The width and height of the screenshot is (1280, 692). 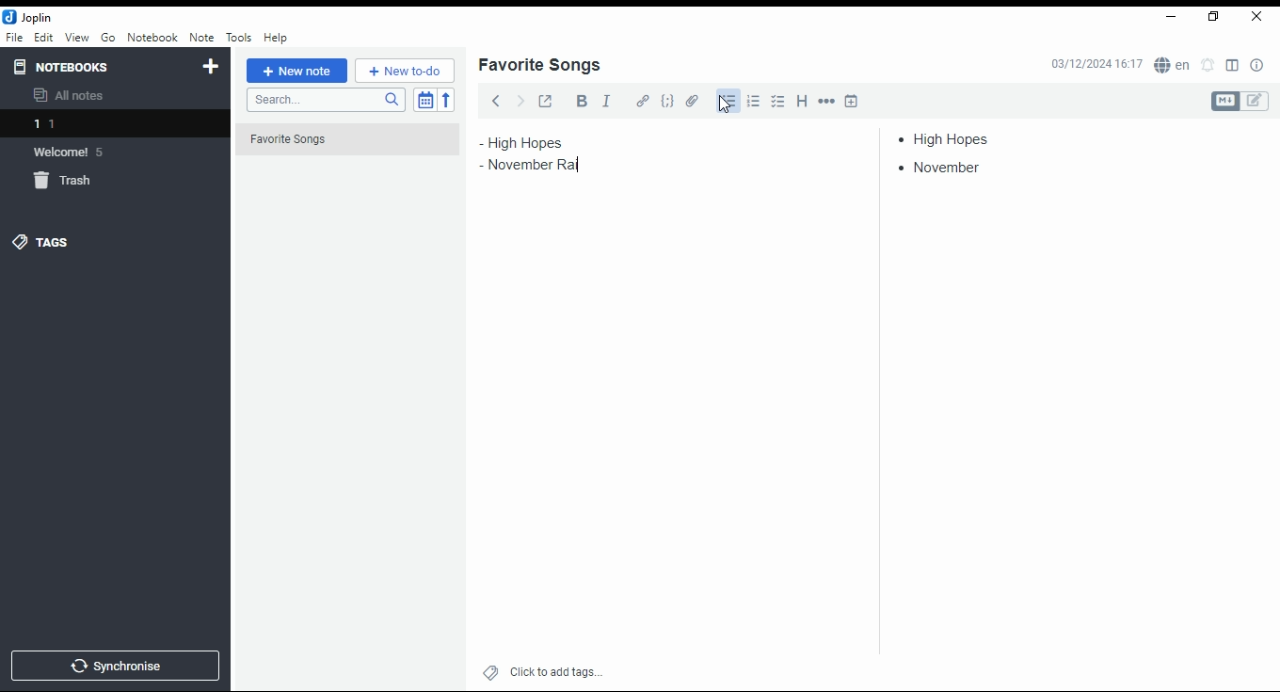 What do you see at coordinates (538, 164) in the screenshot?
I see `november rain` at bounding box center [538, 164].